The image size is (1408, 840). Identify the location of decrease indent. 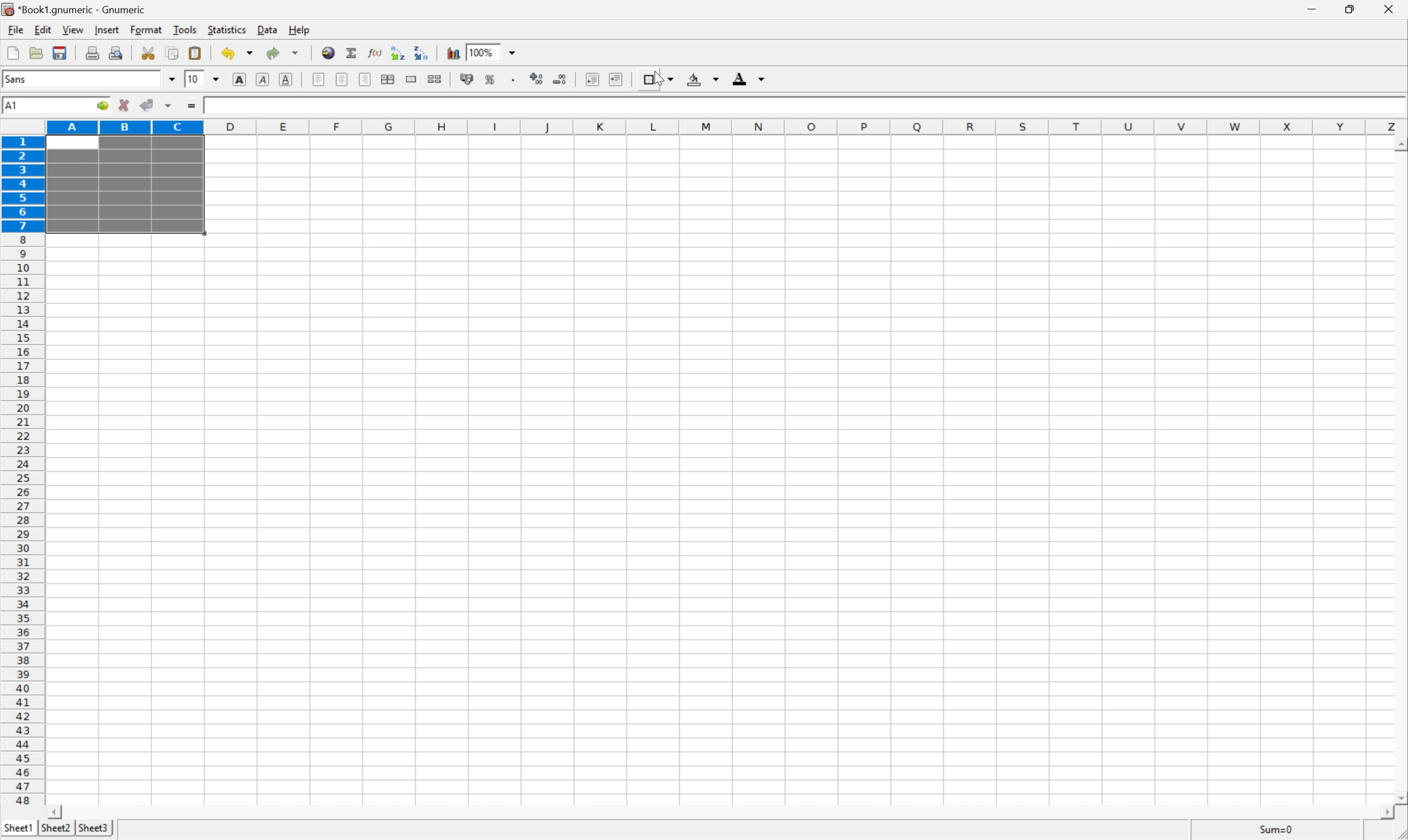
(592, 79).